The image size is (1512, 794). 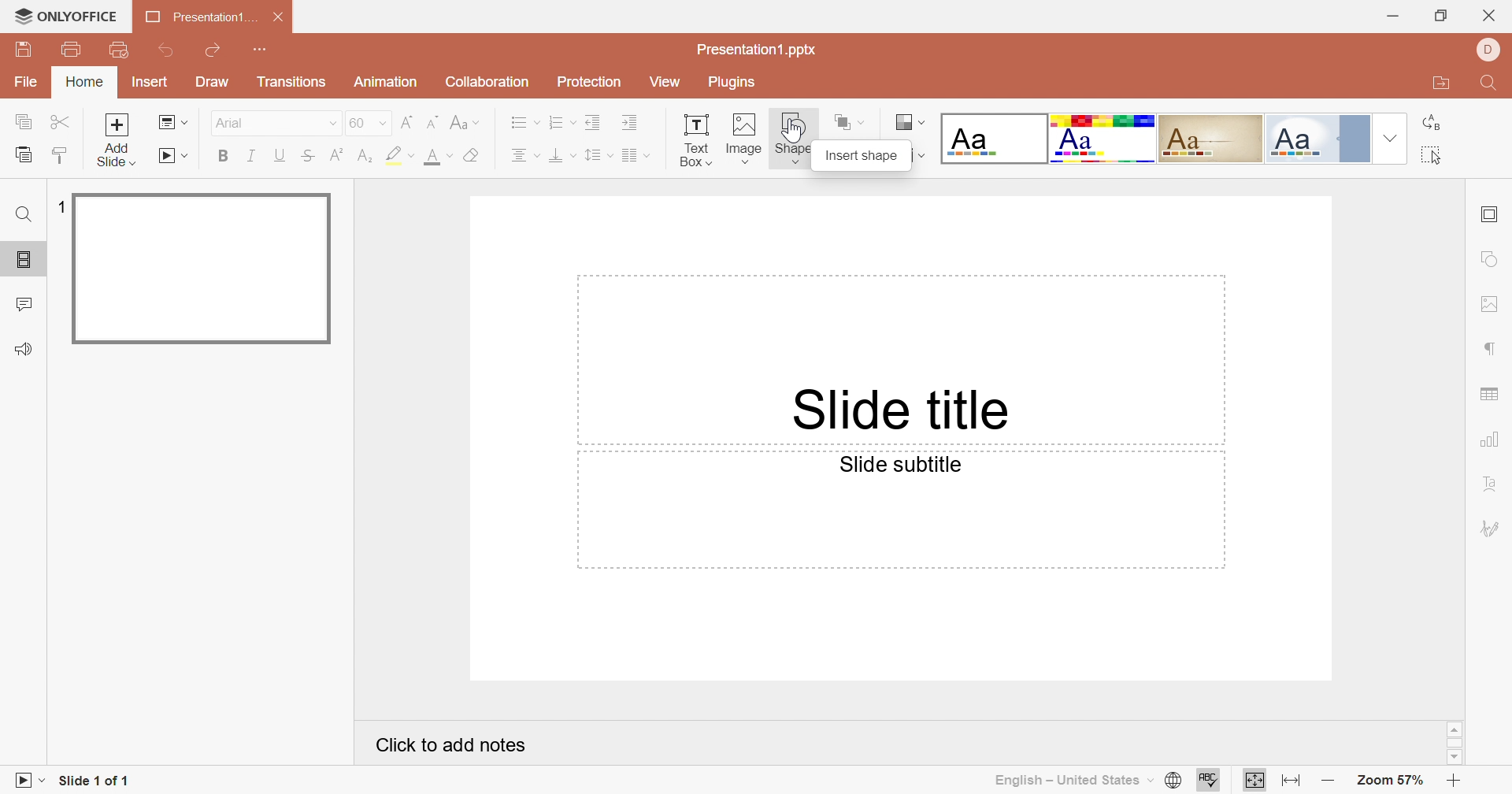 What do you see at coordinates (409, 122) in the screenshot?
I see `Increment font size` at bounding box center [409, 122].